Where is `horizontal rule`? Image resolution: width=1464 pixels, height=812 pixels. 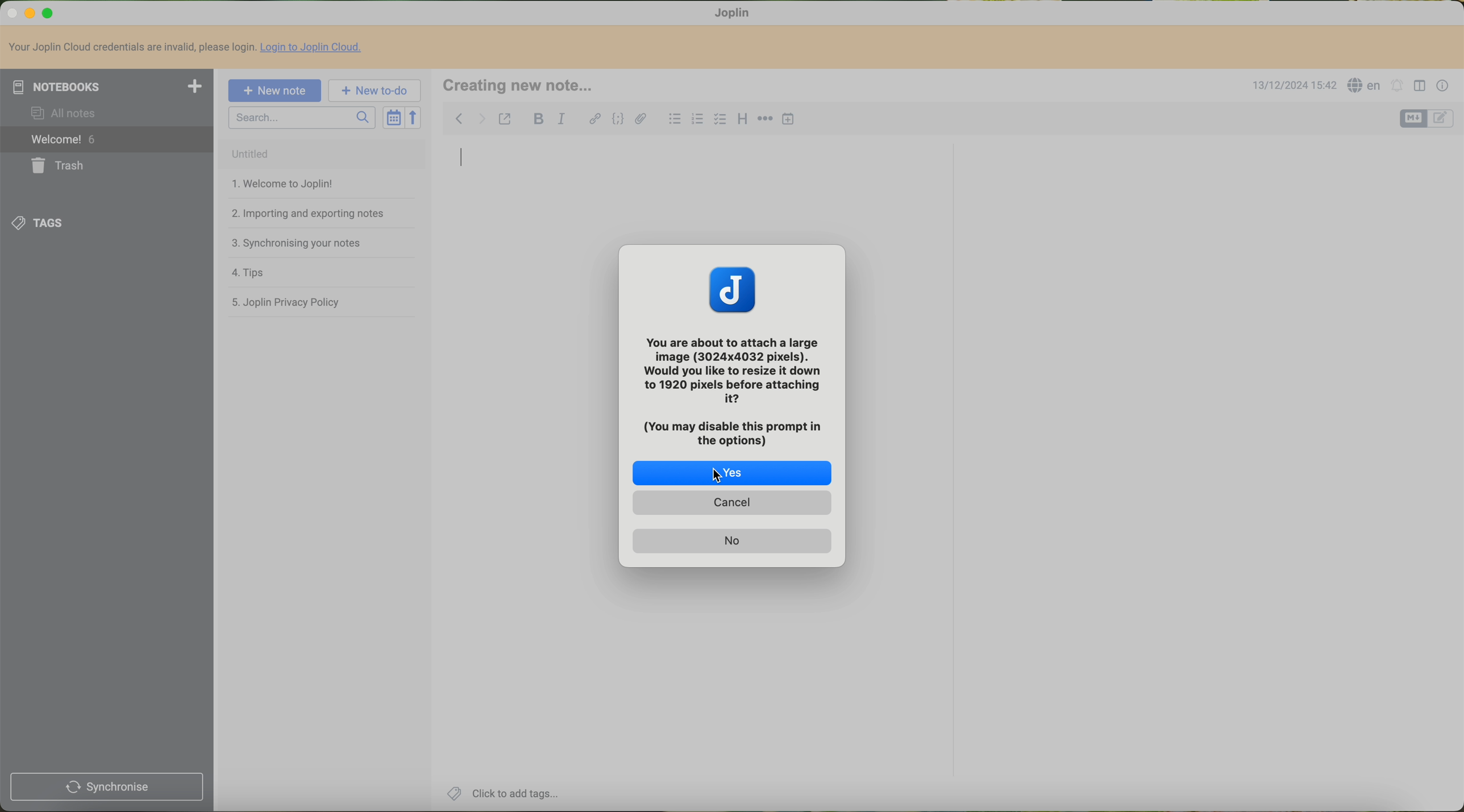 horizontal rule is located at coordinates (766, 119).